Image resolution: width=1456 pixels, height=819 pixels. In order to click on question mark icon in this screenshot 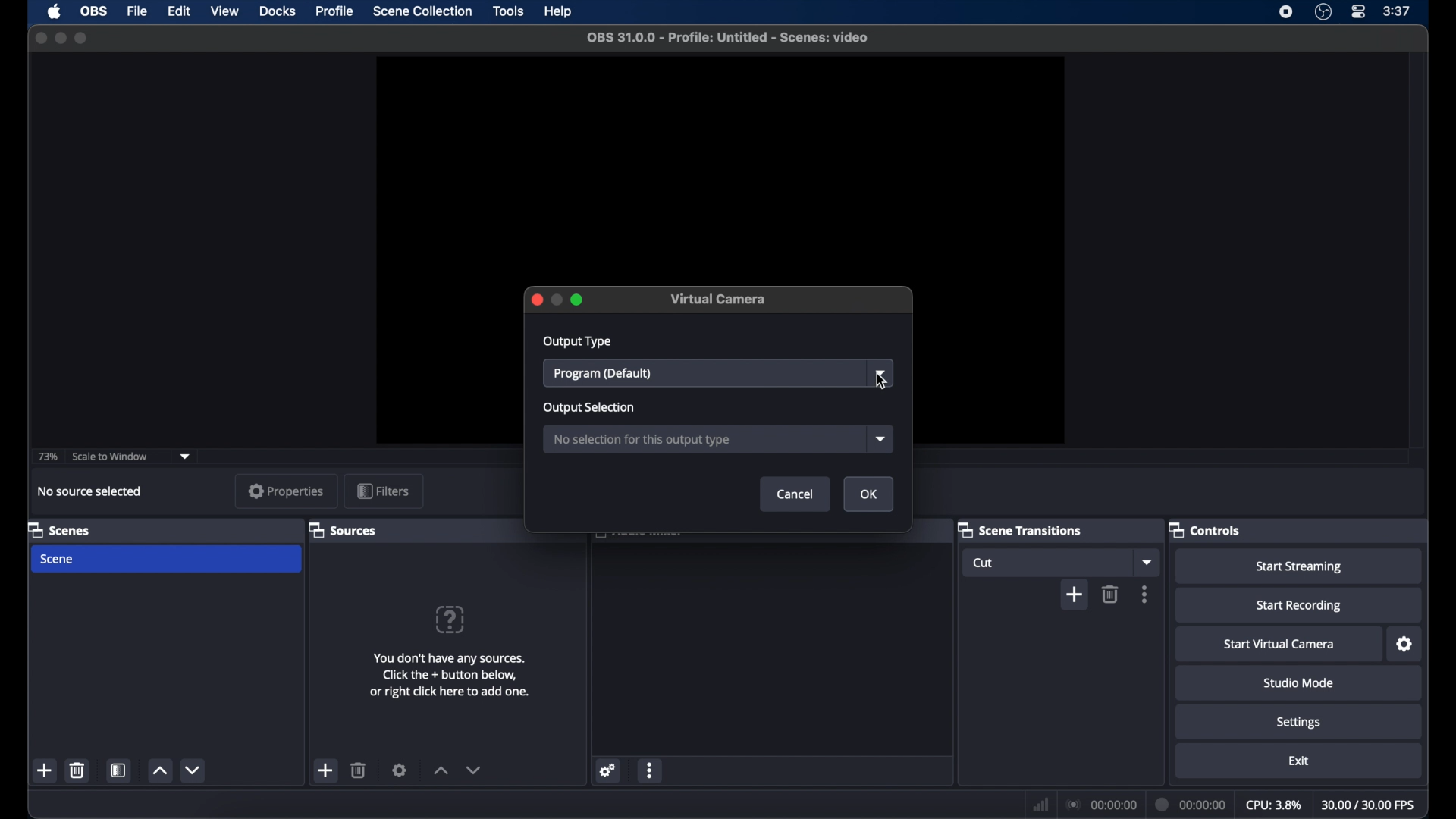, I will do `click(450, 620)`.